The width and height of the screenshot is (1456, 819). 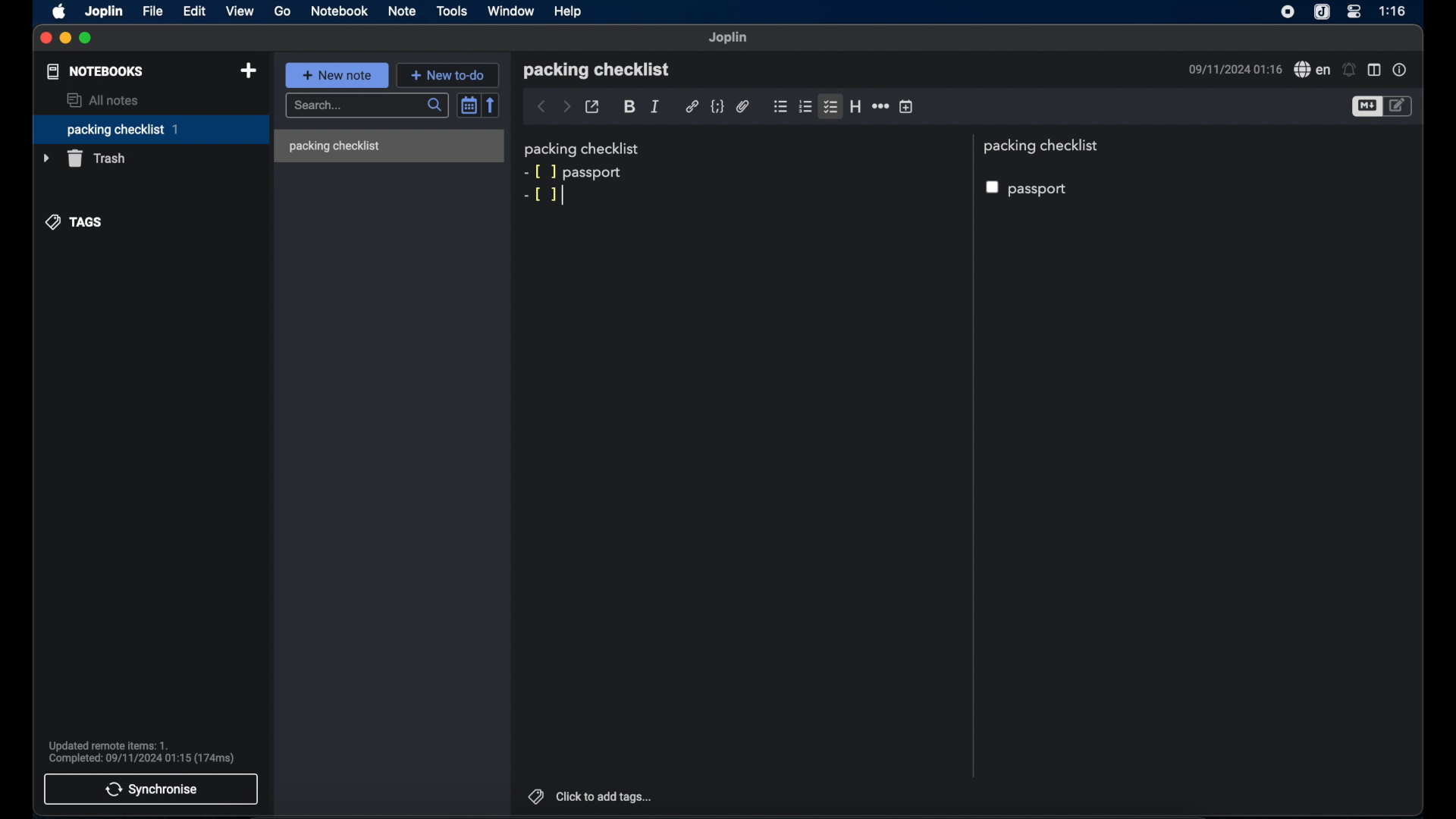 What do you see at coordinates (569, 11) in the screenshot?
I see `help` at bounding box center [569, 11].